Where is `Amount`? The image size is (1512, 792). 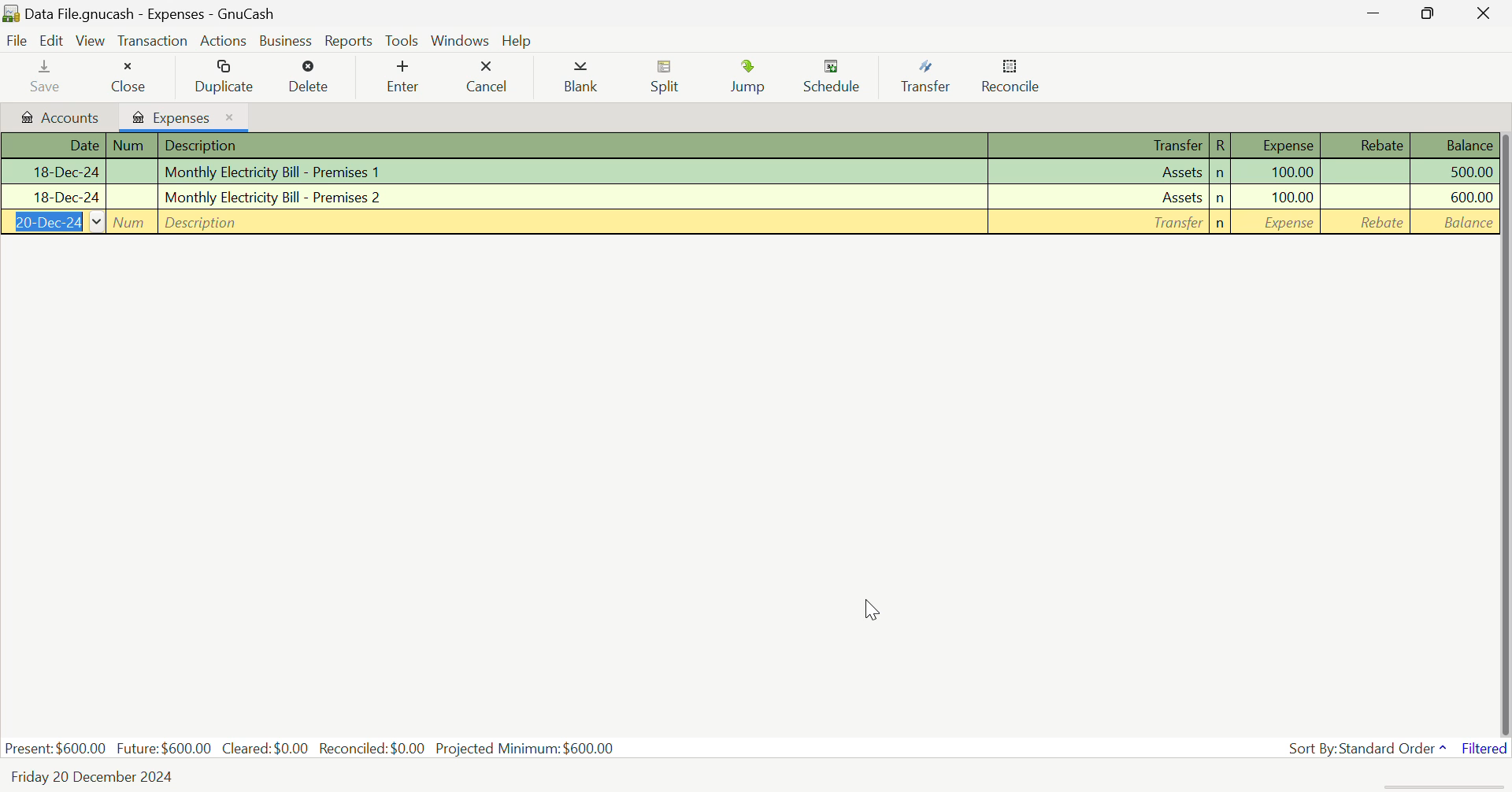 Amount is located at coordinates (1291, 222).